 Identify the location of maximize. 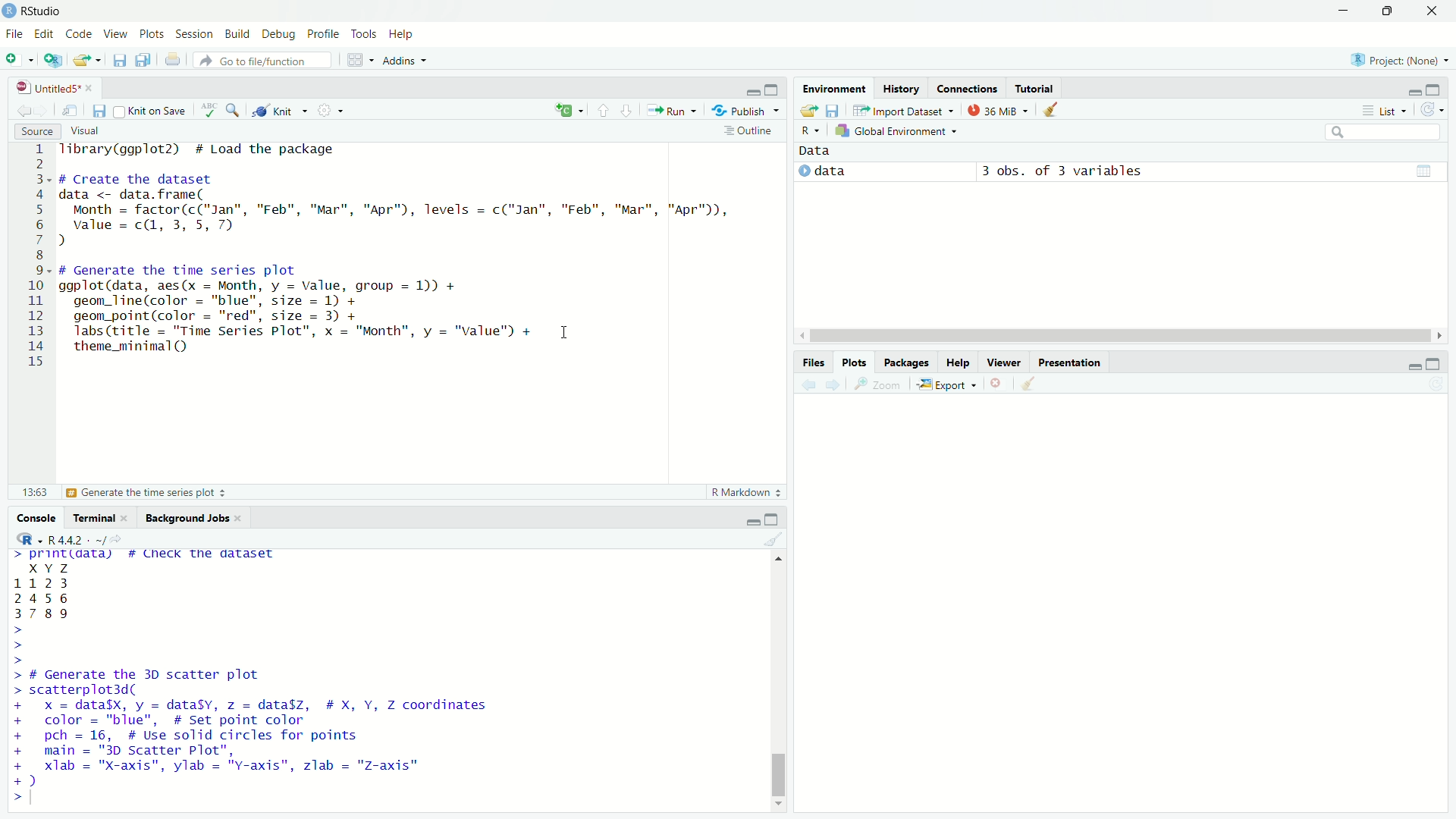
(1434, 89).